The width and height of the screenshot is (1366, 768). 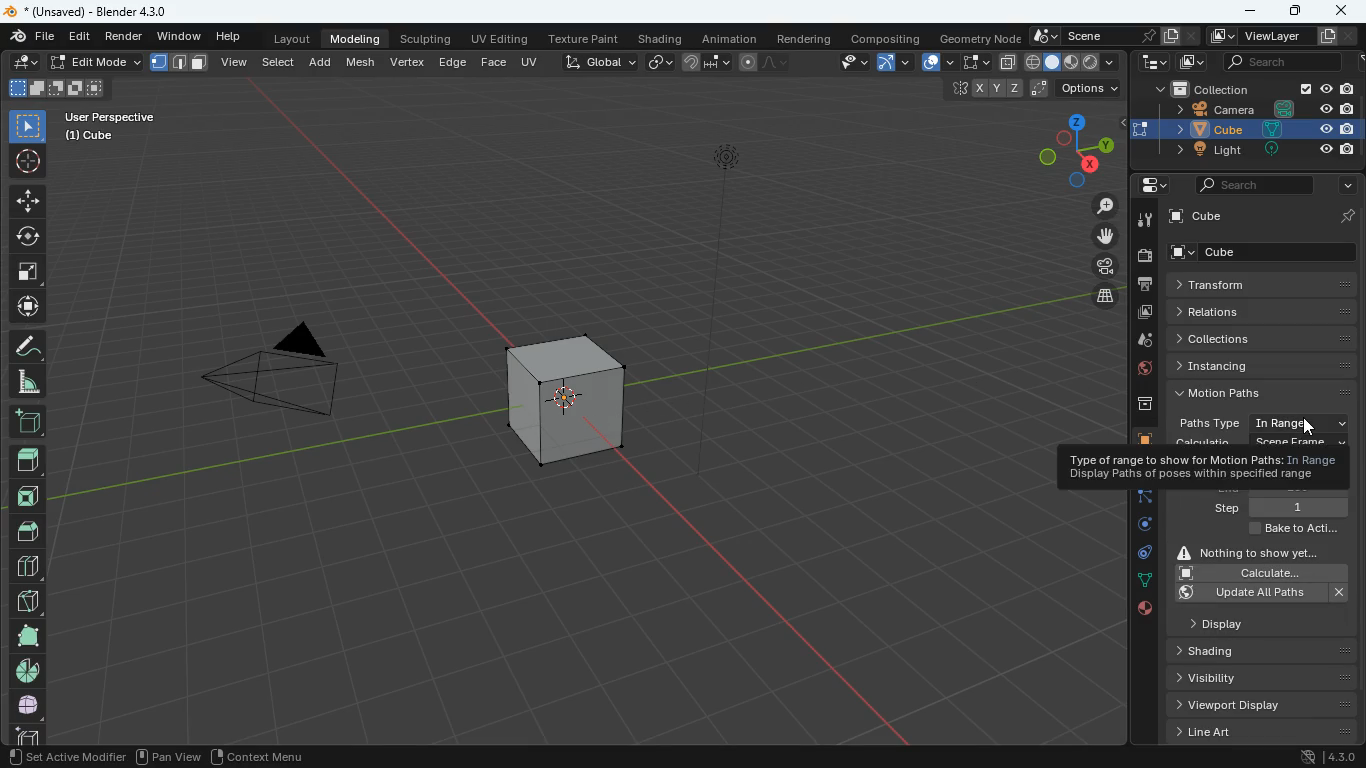 I want to click on light, so click(x=731, y=203).